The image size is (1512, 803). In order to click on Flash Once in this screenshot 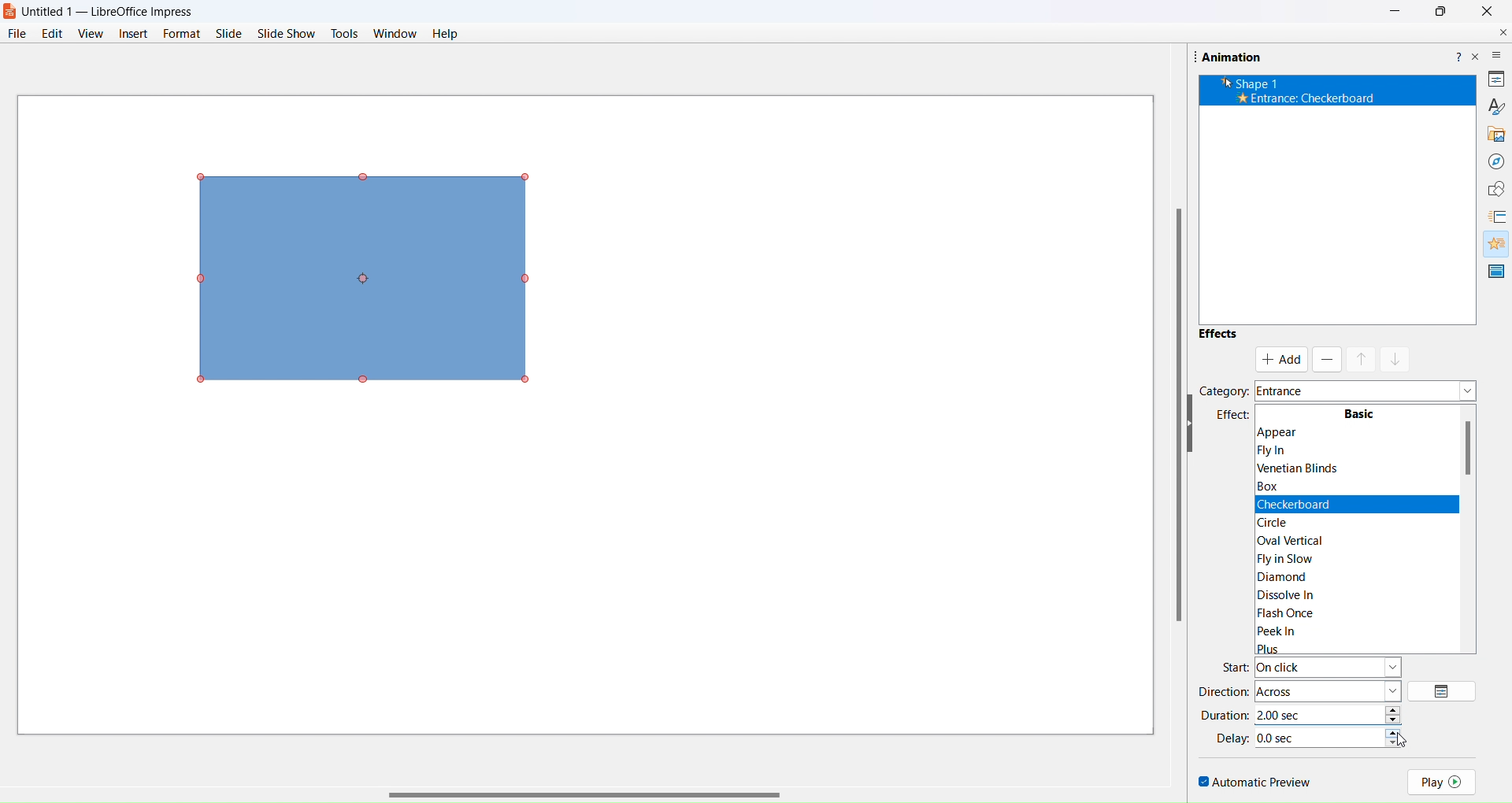, I will do `click(1298, 613)`.